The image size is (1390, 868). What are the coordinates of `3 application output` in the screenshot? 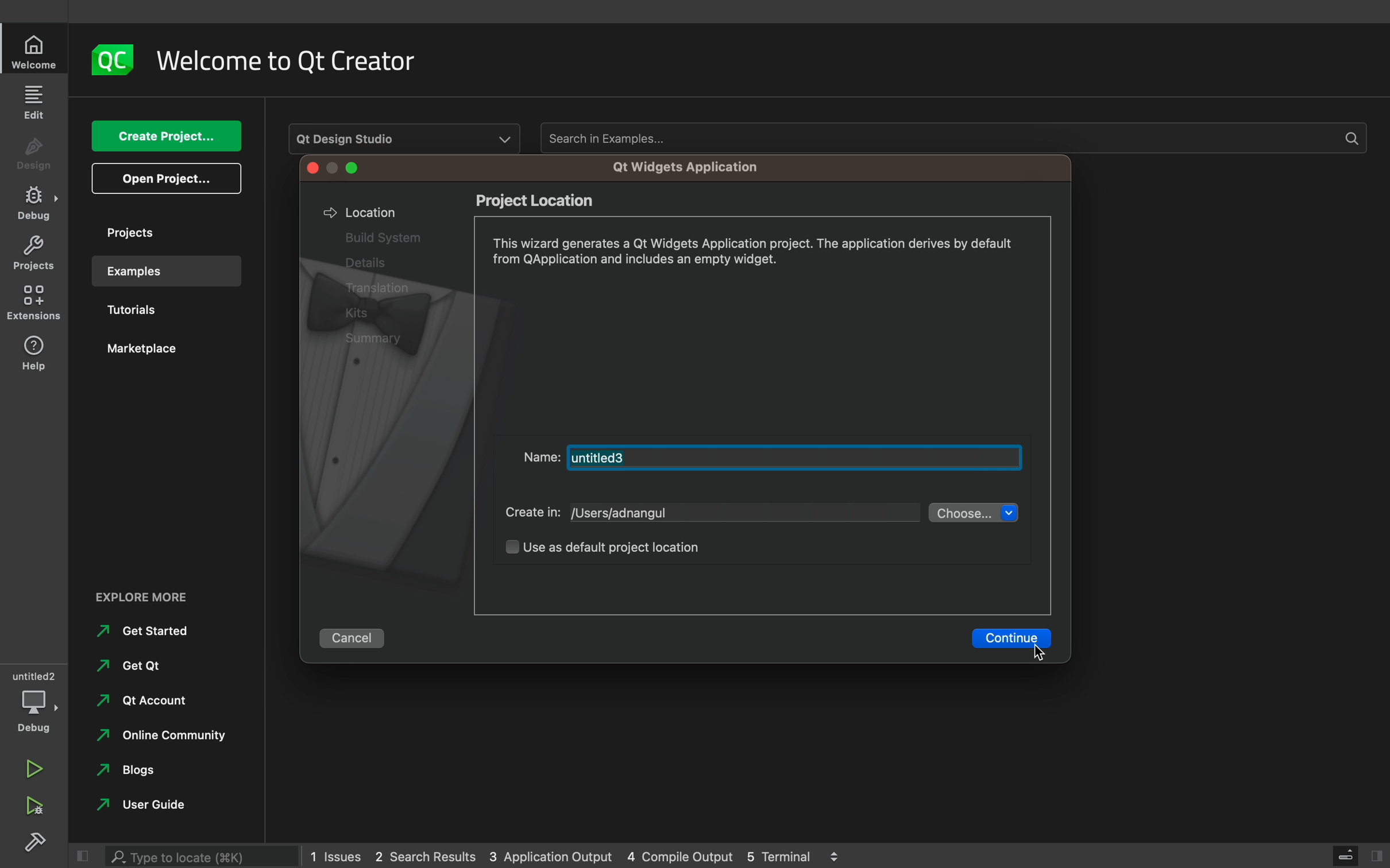 It's located at (550, 857).